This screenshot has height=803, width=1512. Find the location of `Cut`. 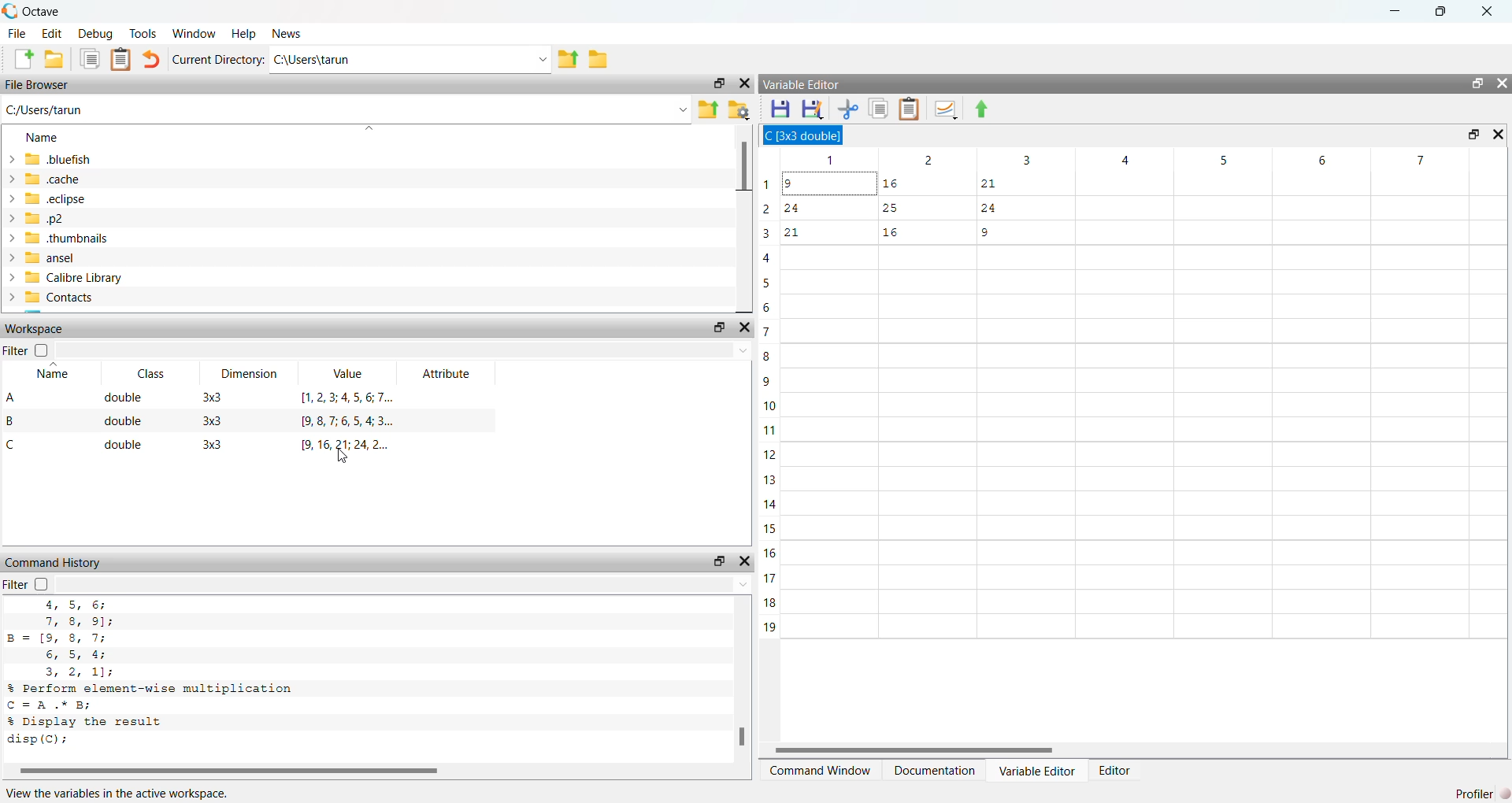

Cut is located at coordinates (849, 109).